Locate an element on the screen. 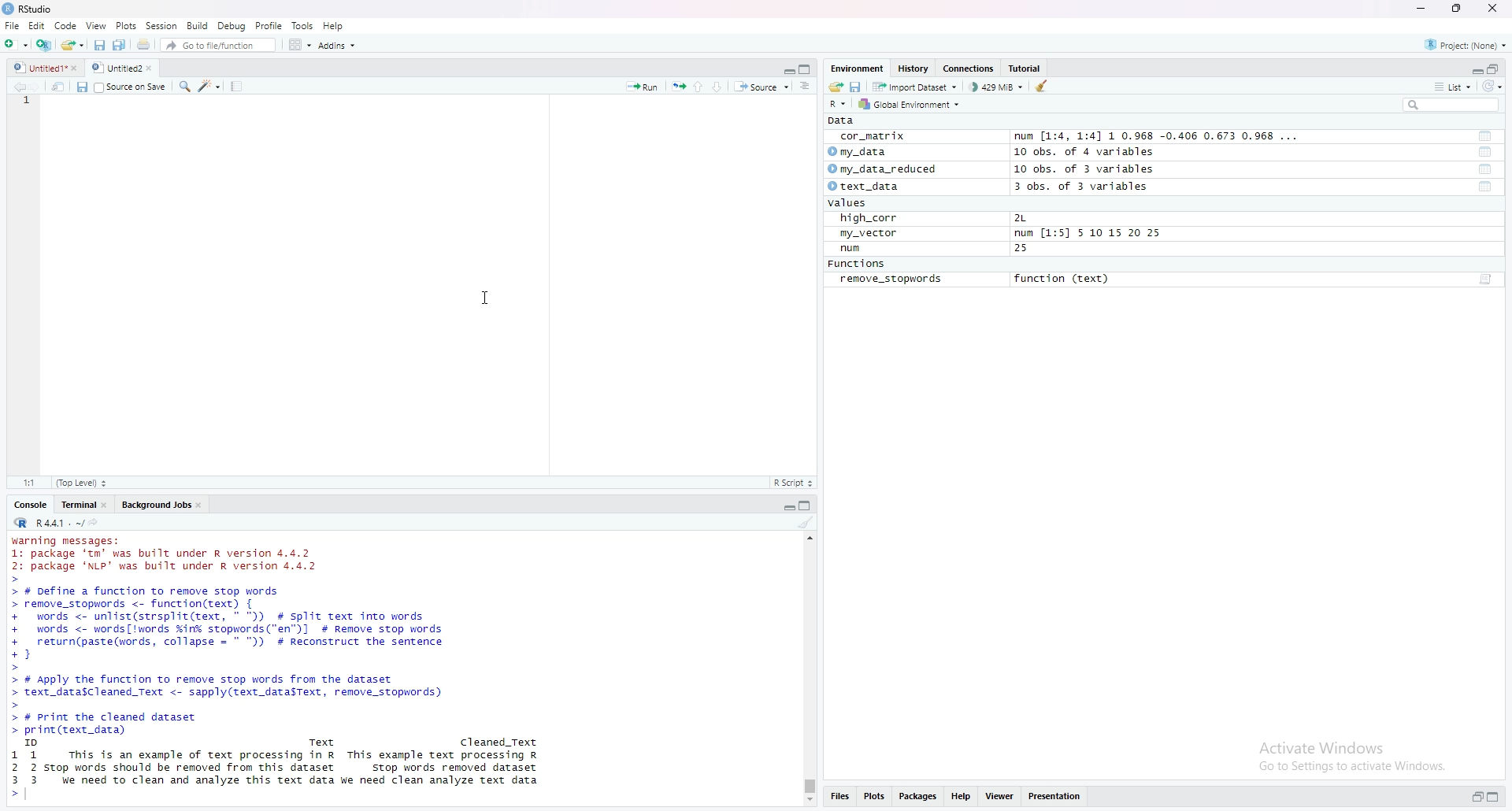 The image size is (1512, 811). Maximize is located at coordinates (804, 506).